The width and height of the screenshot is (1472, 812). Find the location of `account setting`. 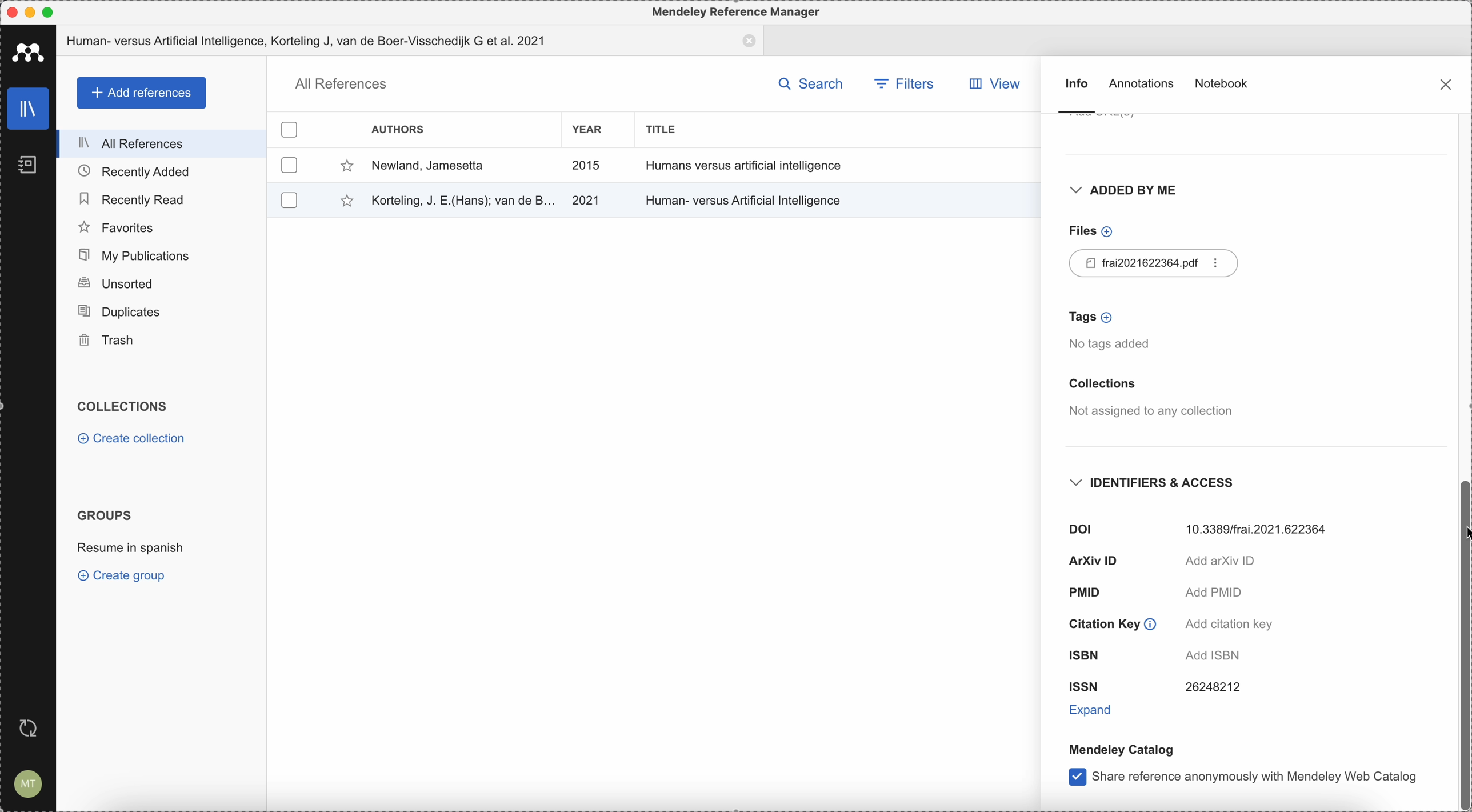

account setting is located at coordinates (29, 783).